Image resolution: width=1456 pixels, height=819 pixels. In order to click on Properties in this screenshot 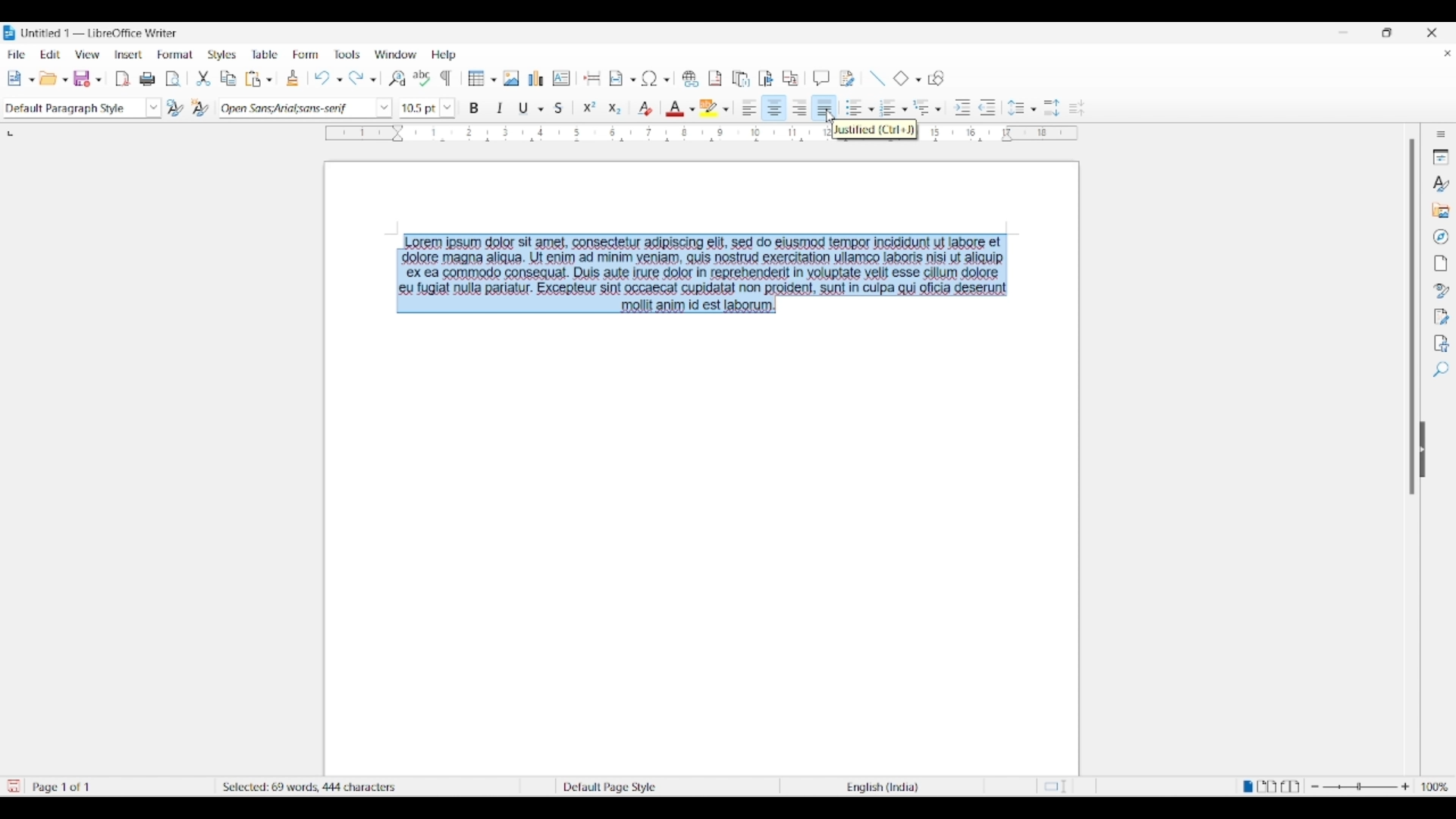, I will do `click(1441, 157)`.